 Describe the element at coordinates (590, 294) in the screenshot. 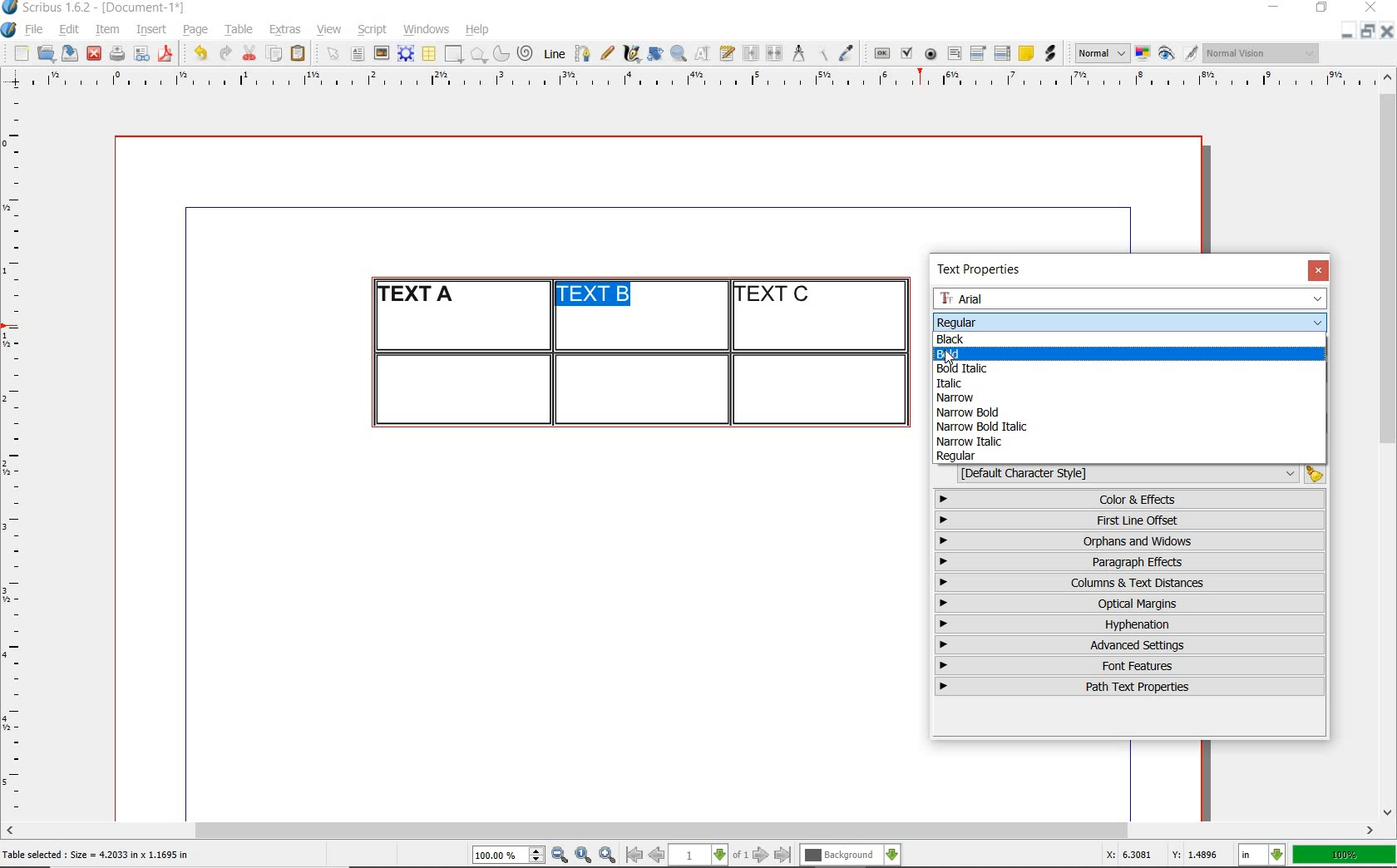

I see `text highlighted` at that location.